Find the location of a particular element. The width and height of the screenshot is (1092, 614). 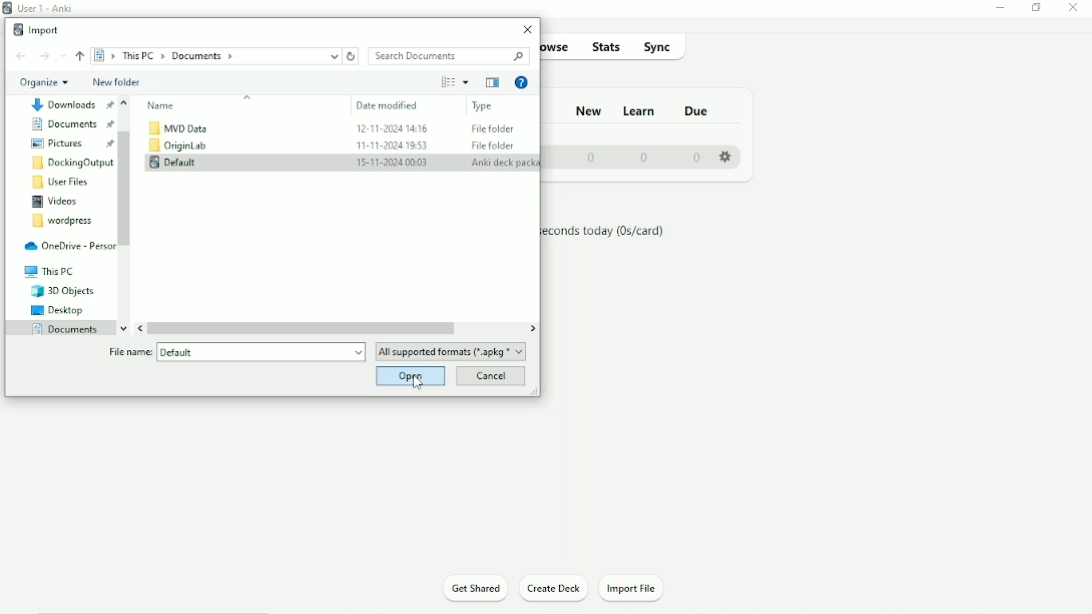

Import File is located at coordinates (635, 588).